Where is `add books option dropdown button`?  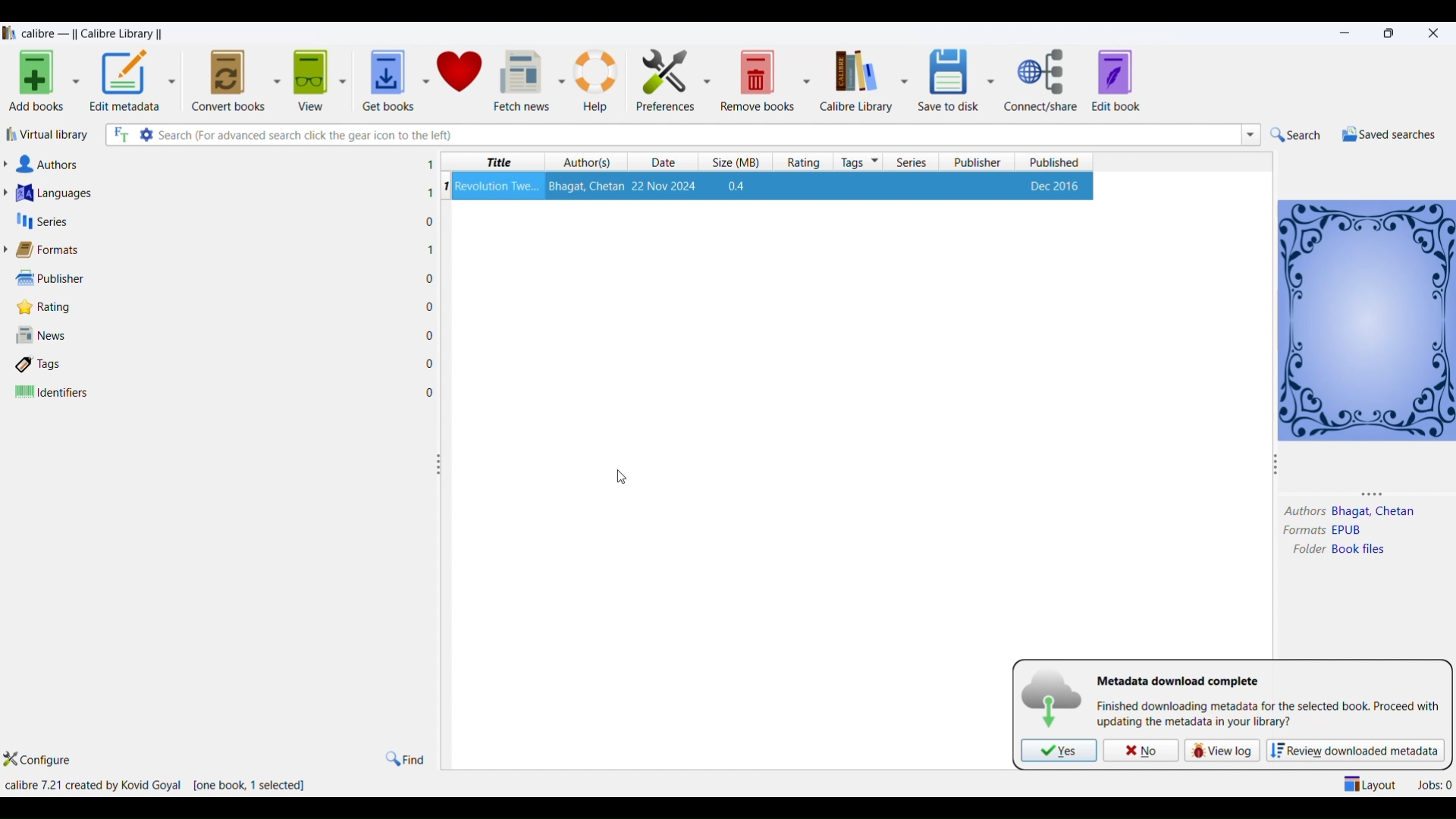 add books option dropdown button is located at coordinates (76, 83).